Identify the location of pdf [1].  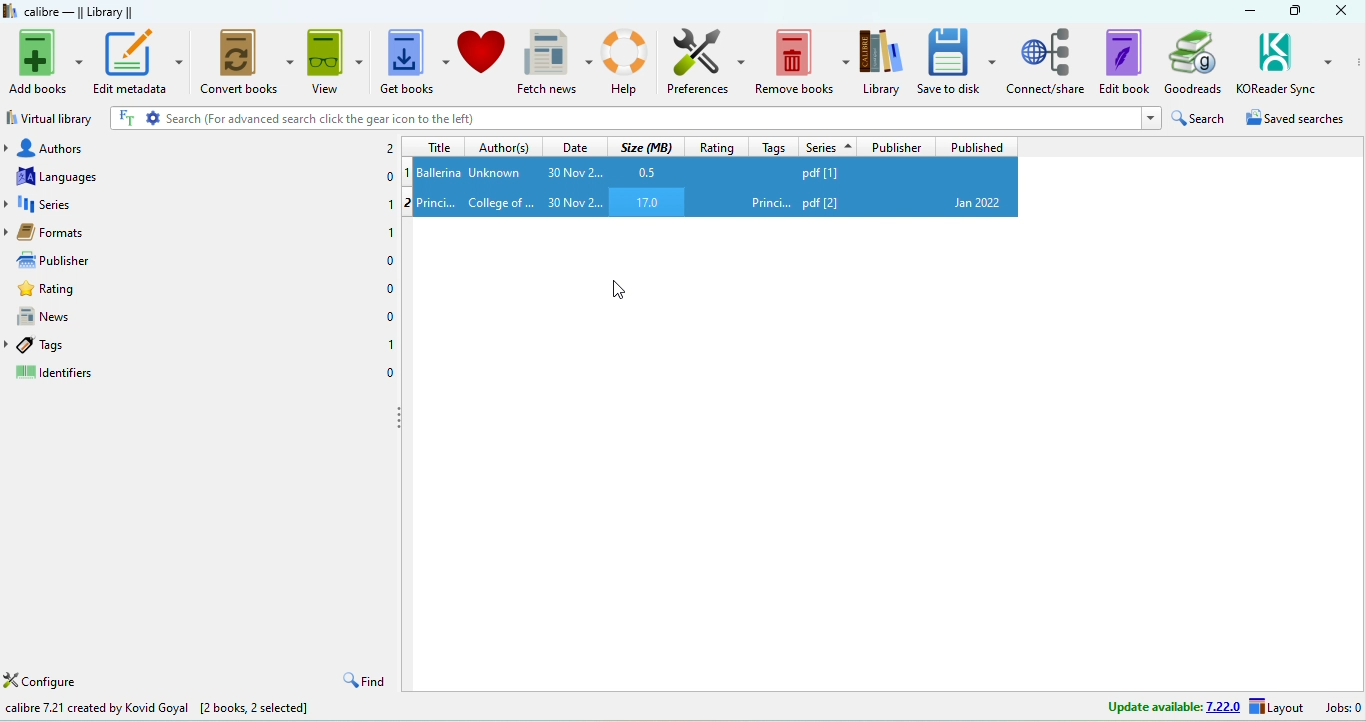
(860, 171).